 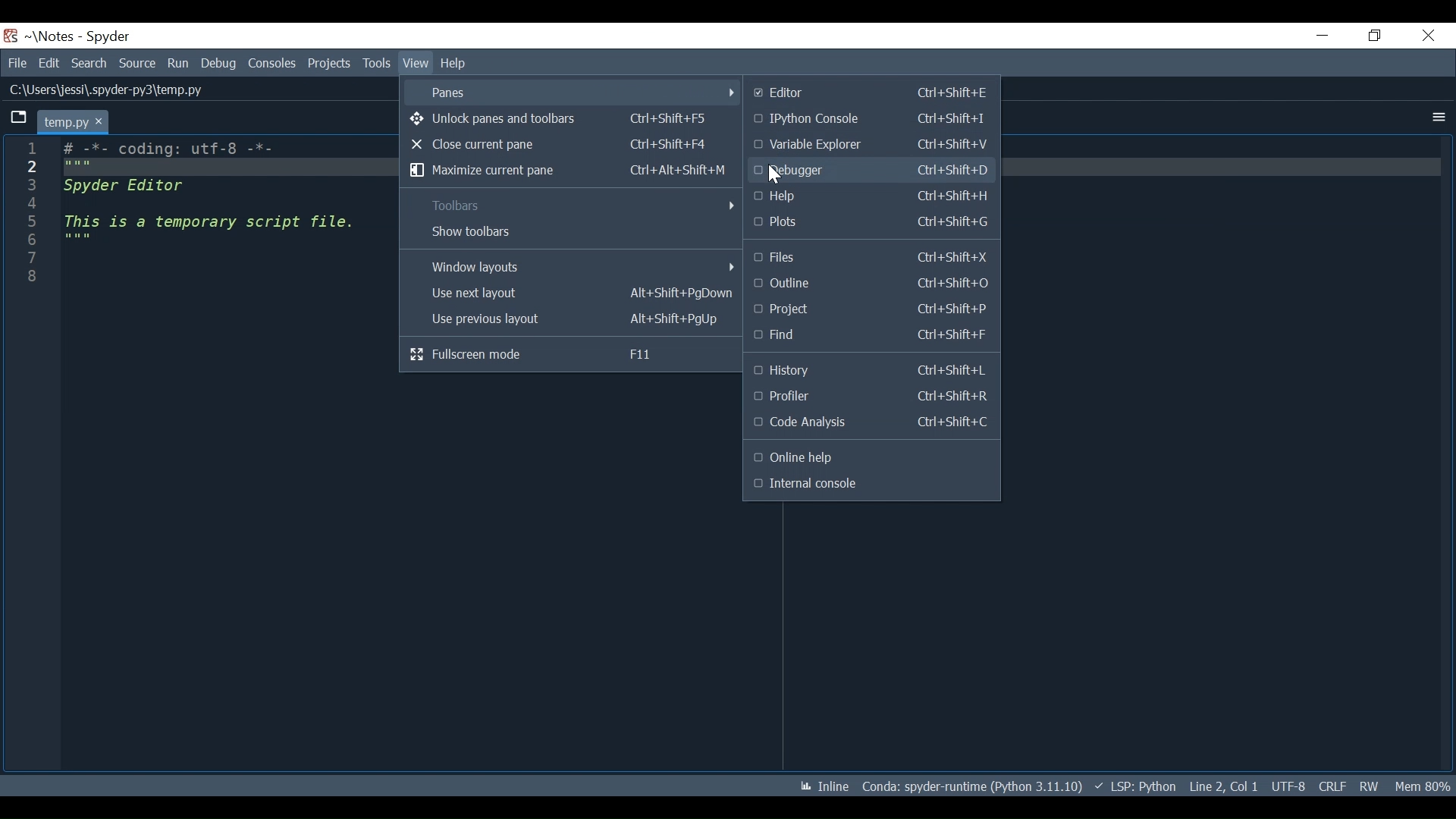 I want to click on Outline , so click(x=868, y=284).